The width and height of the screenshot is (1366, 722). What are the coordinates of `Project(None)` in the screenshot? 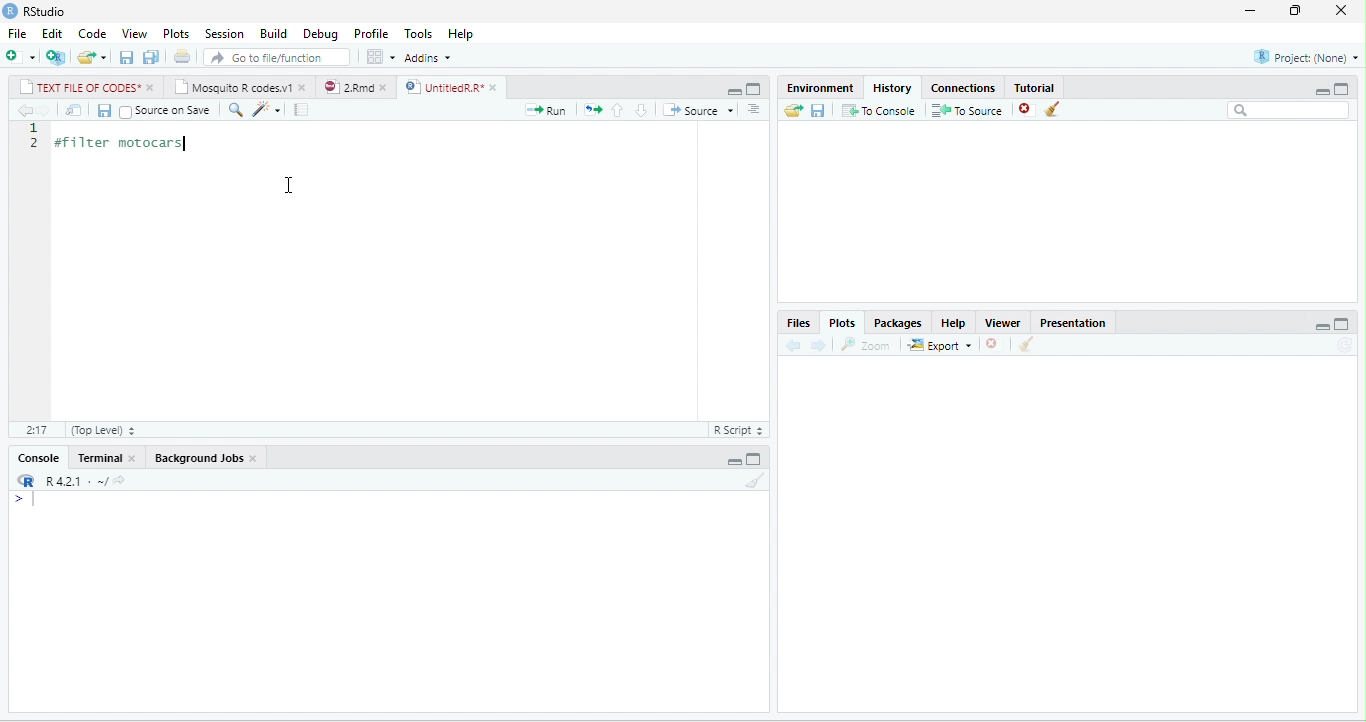 It's located at (1307, 57).